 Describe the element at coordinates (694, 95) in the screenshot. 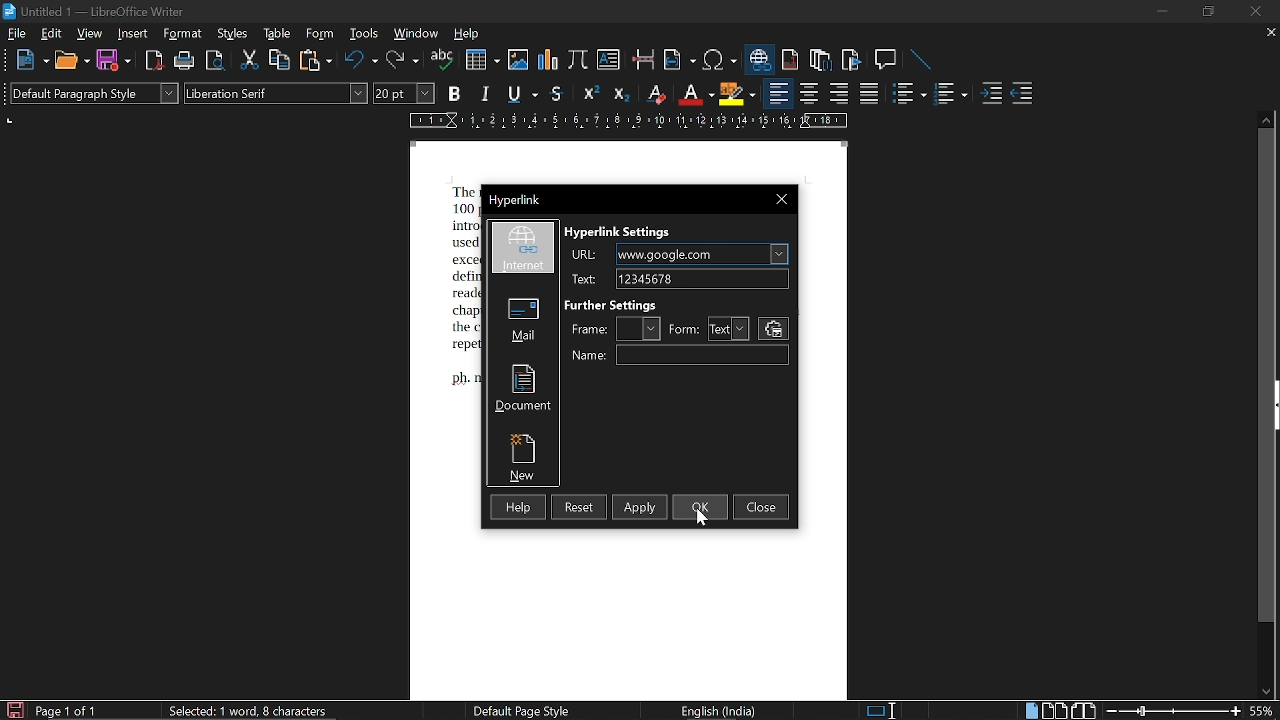

I see `font color` at that location.